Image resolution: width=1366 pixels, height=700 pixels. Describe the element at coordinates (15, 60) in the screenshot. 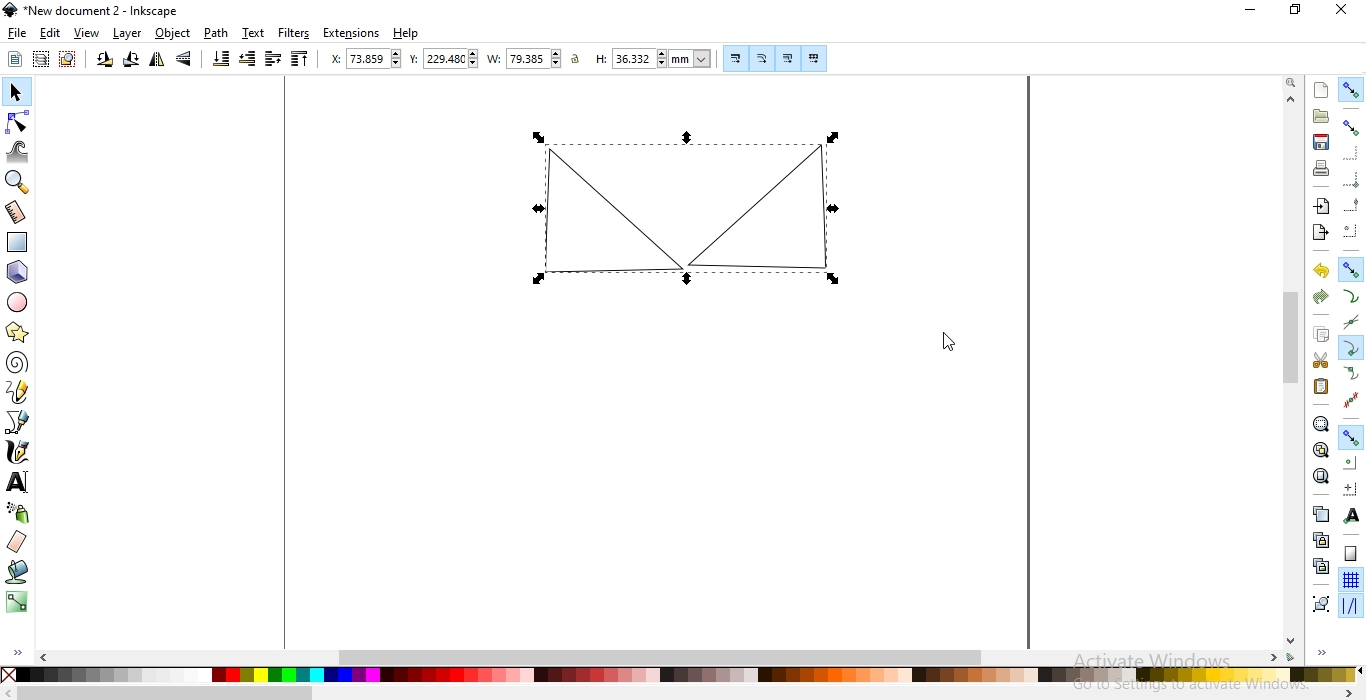

I see `select all objects or nodes` at that location.